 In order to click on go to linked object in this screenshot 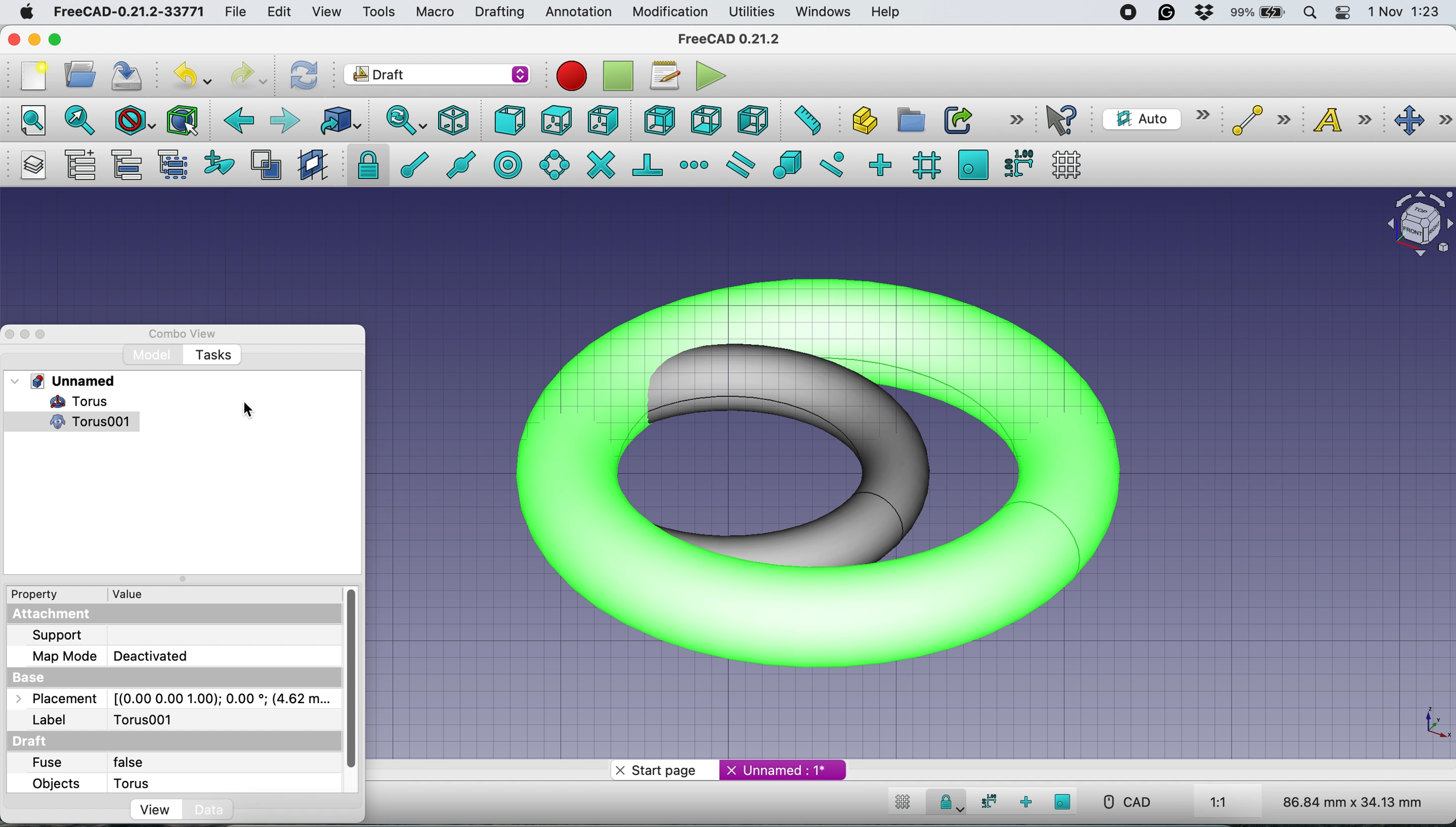, I will do `click(339, 120)`.